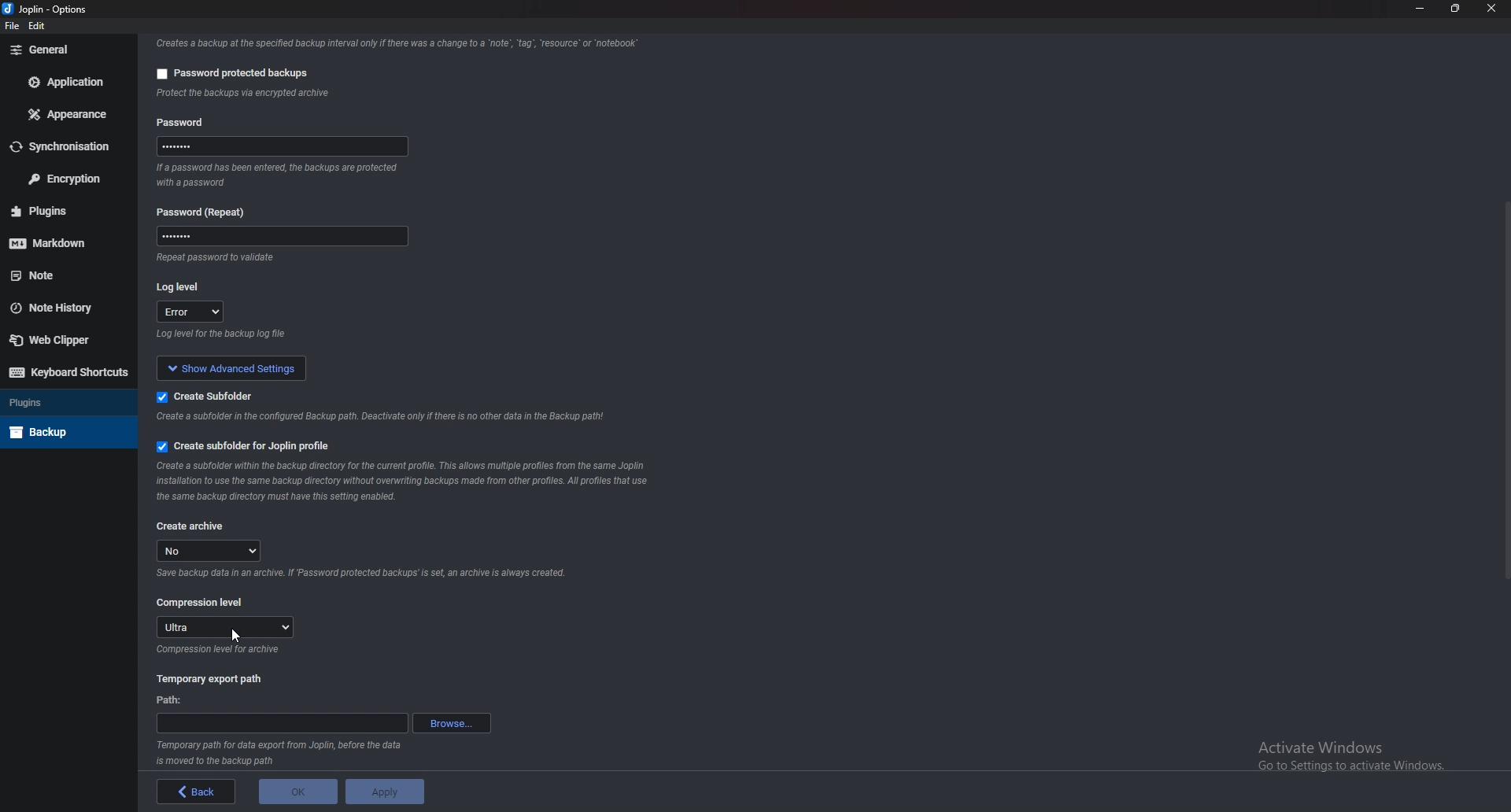  Describe the element at coordinates (238, 635) in the screenshot. I see `cursor` at that location.